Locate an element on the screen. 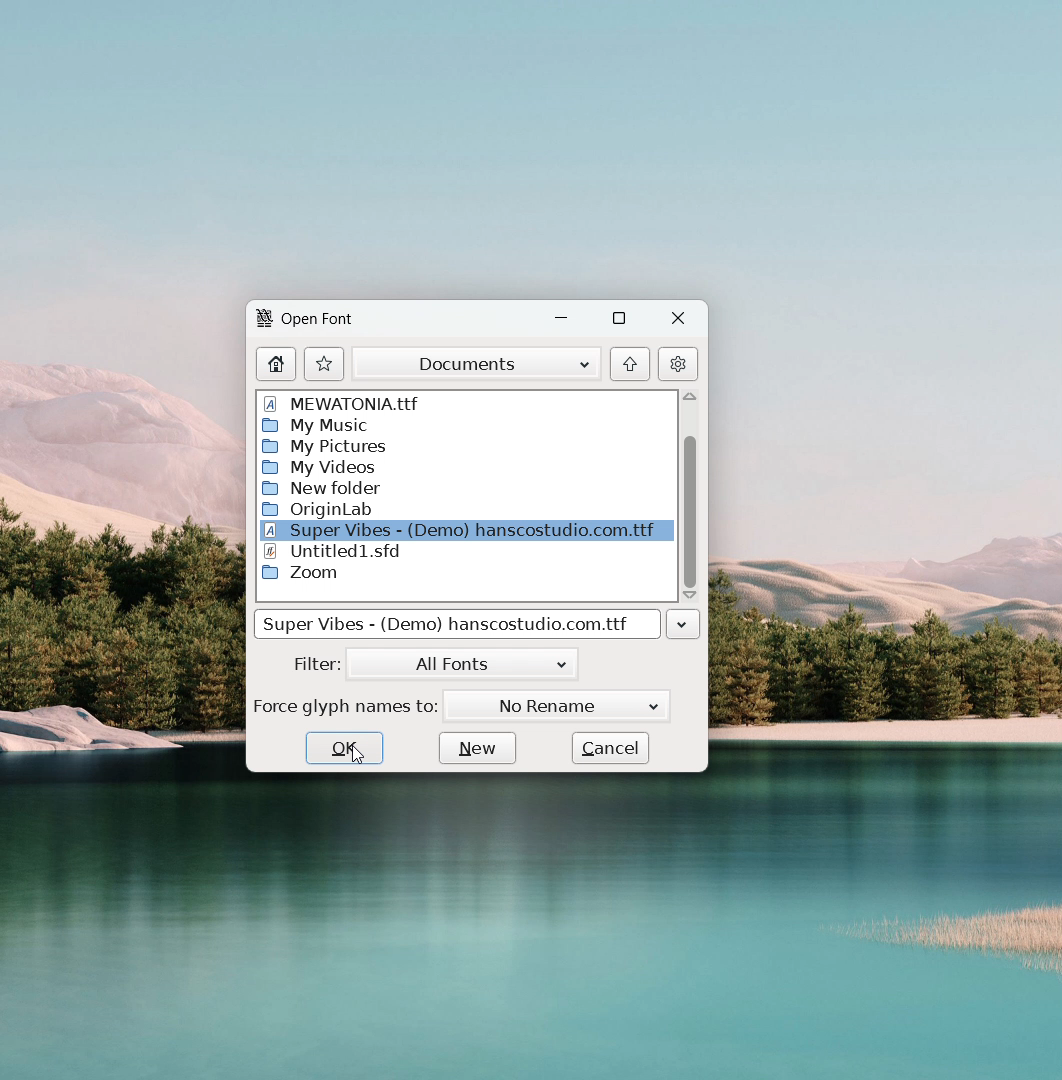 This screenshot has width=1062, height=1080. New Folder is located at coordinates (320, 489).